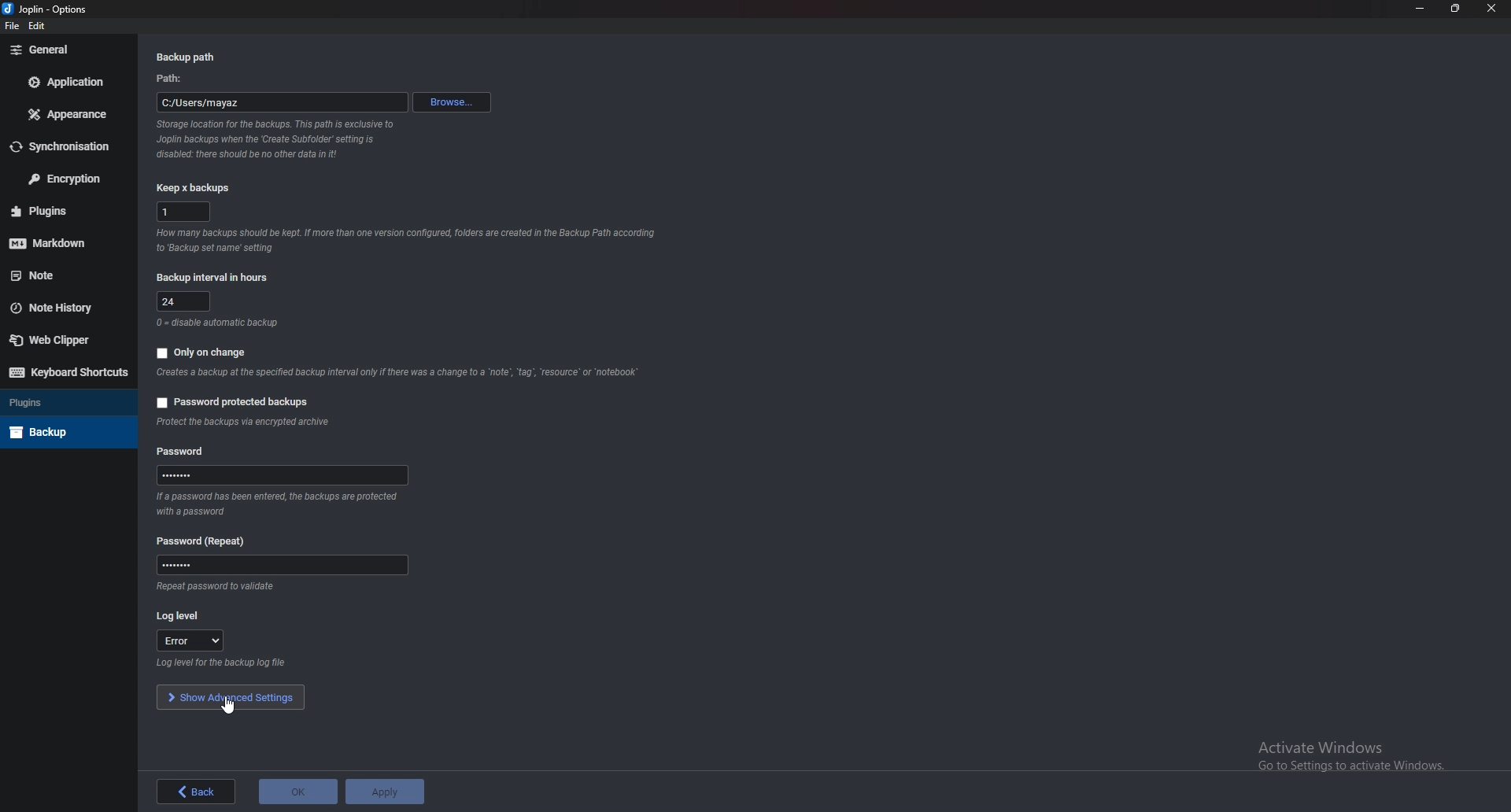 The image size is (1511, 812). I want to click on Minimize, so click(1422, 9).